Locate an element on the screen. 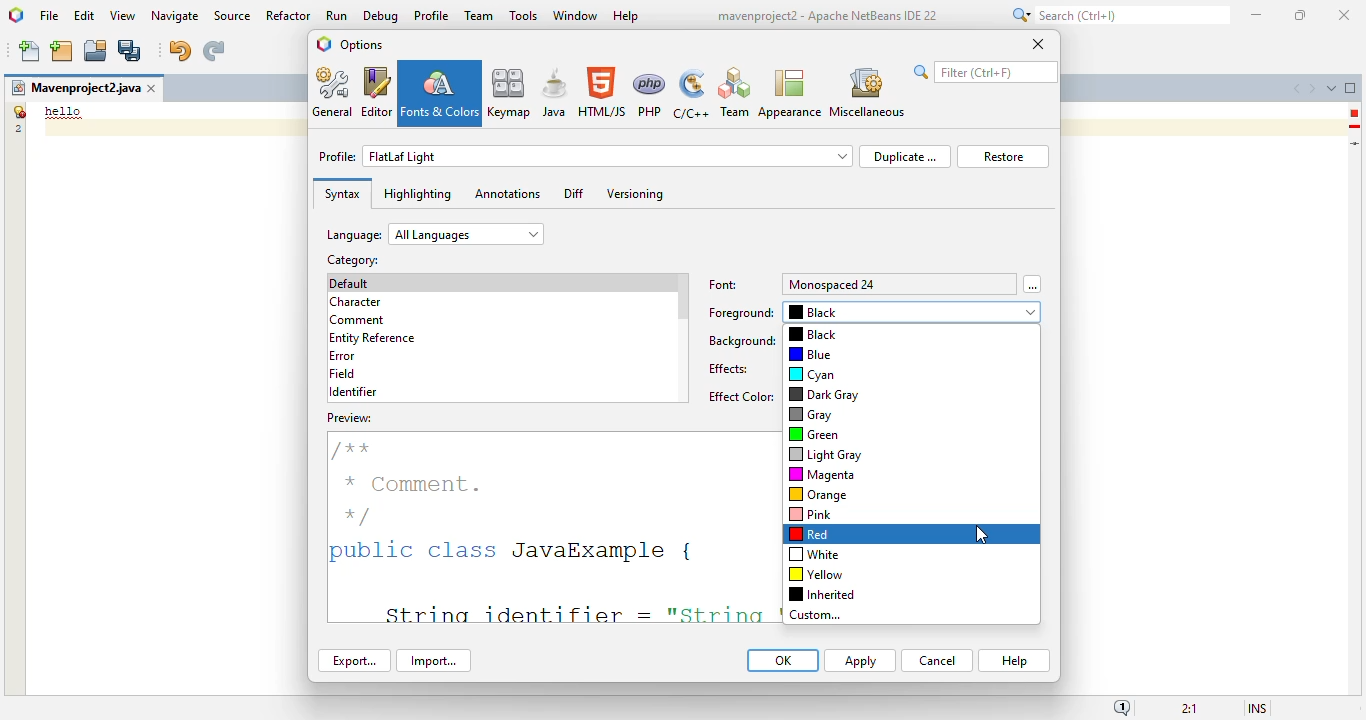  error is located at coordinates (1354, 113).